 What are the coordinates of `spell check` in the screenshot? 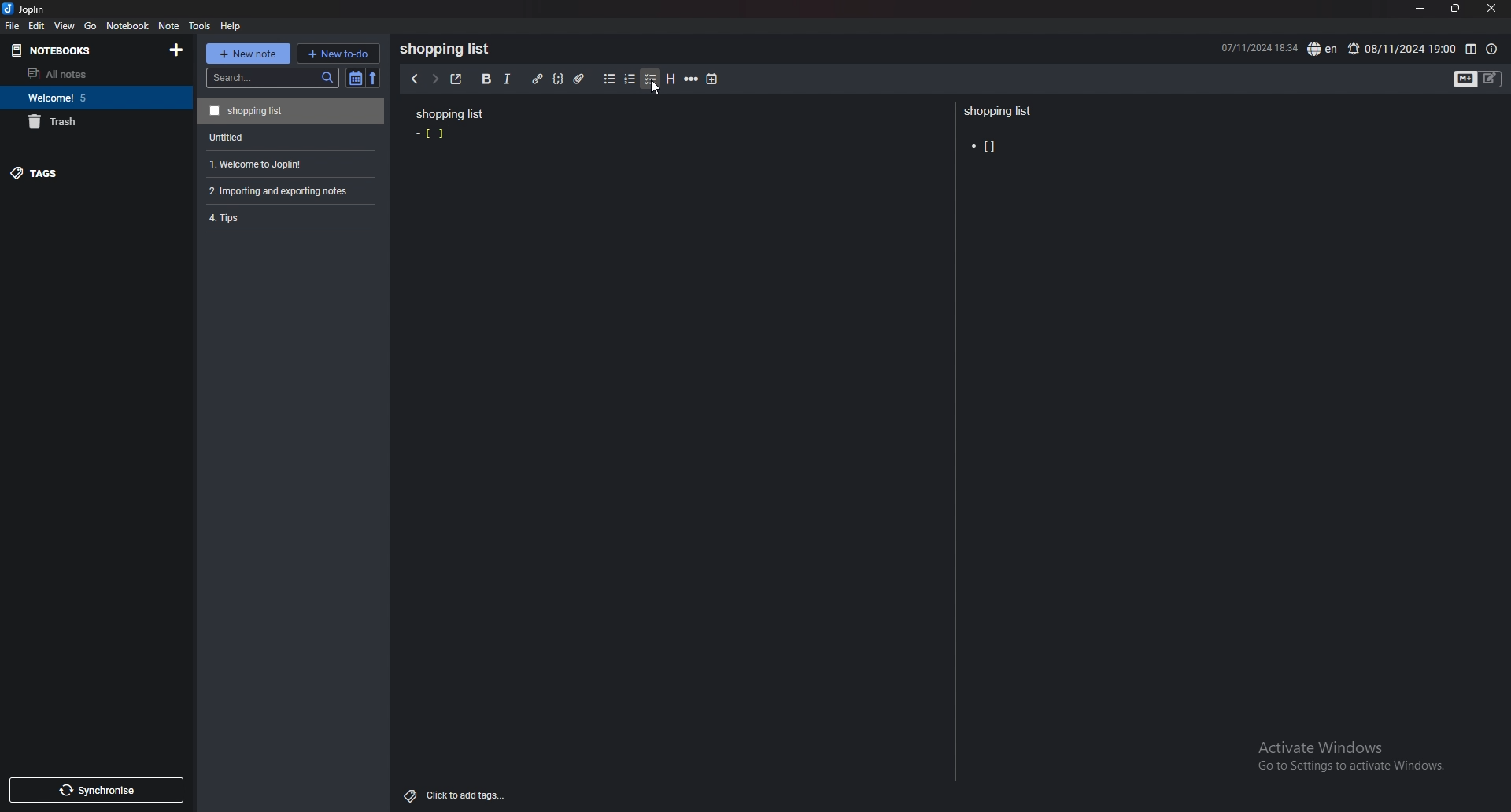 It's located at (1324, 49).